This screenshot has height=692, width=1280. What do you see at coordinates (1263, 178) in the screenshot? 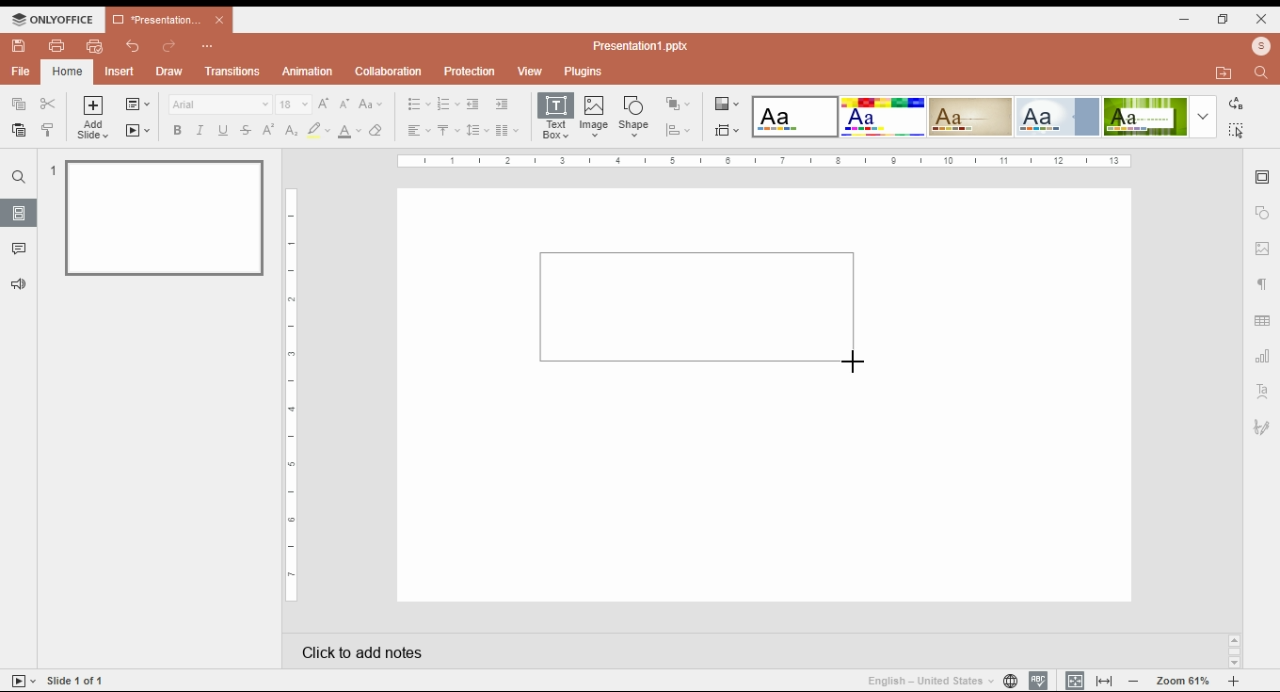
I see `slide settings` at bounding box center [1263, 178].